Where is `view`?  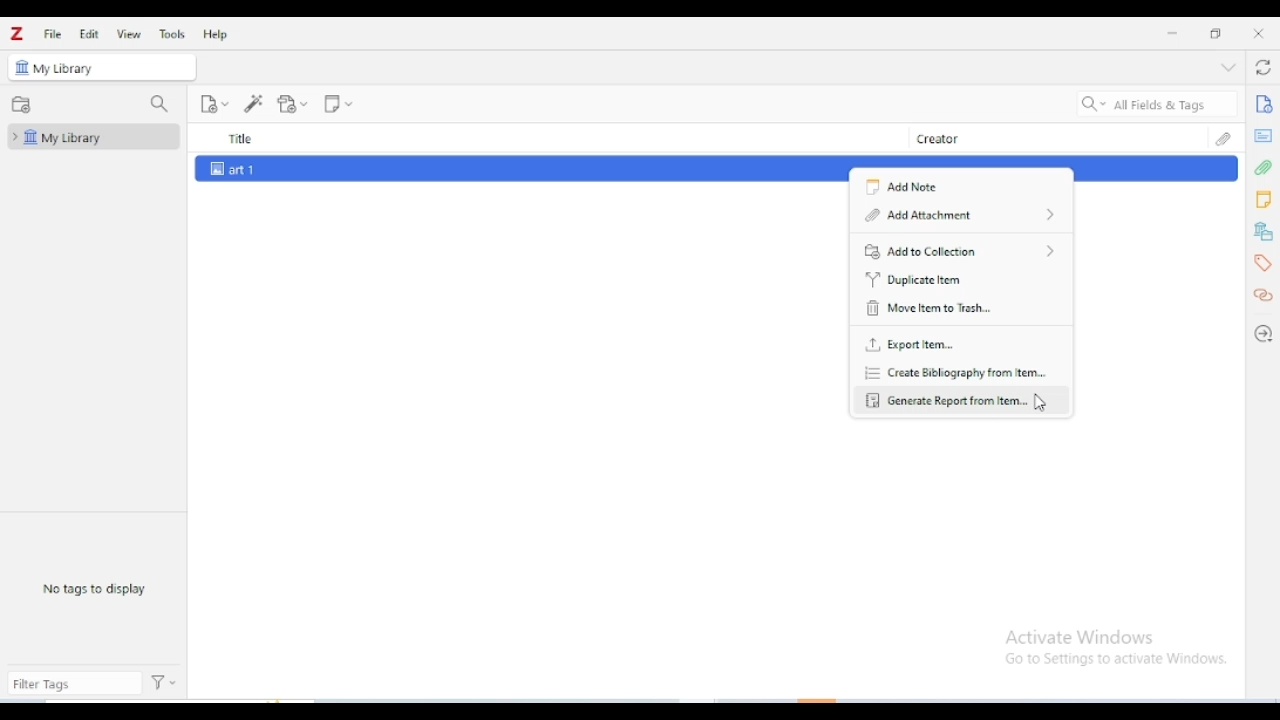 view is located at coordinates (128, 34).